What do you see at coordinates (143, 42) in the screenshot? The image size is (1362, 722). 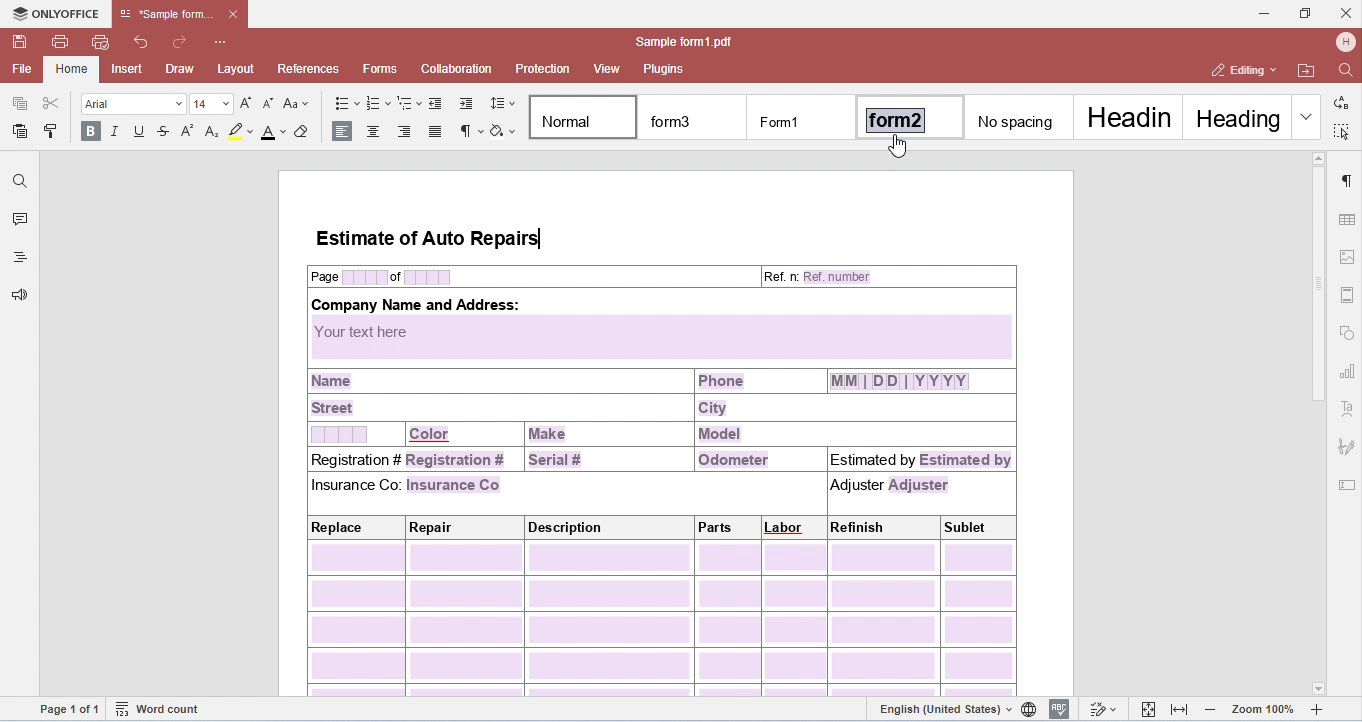 I see `undo` at bounding box center [143, 42].